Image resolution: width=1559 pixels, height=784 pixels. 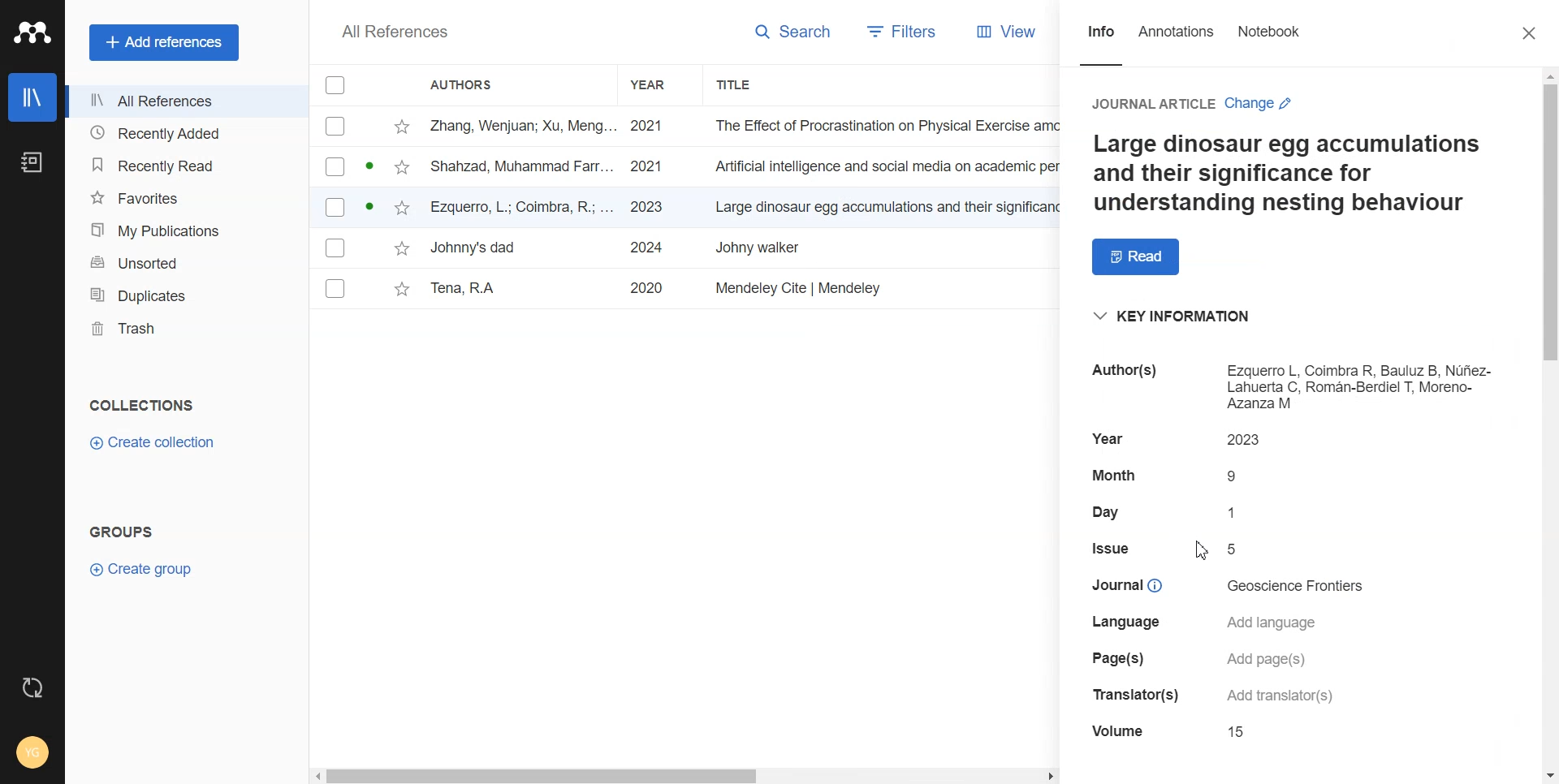 What do you see at coordinates (1119, 622) in the screenshot?
I see `details` at bounding box center [1119, 622].